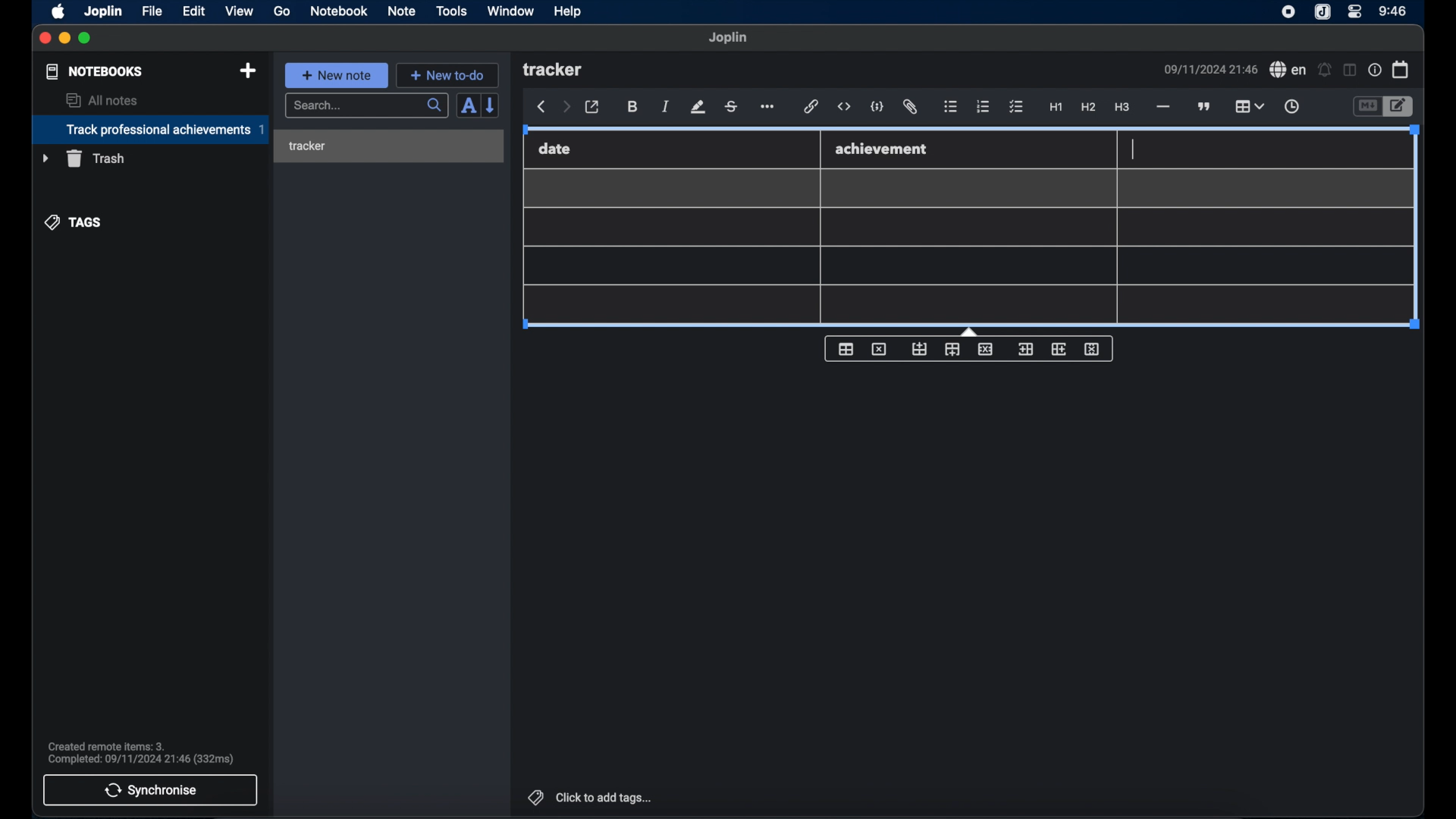 This screenshot has width=1456, height=819. I want to click on text cursor, so click(1133, 149).